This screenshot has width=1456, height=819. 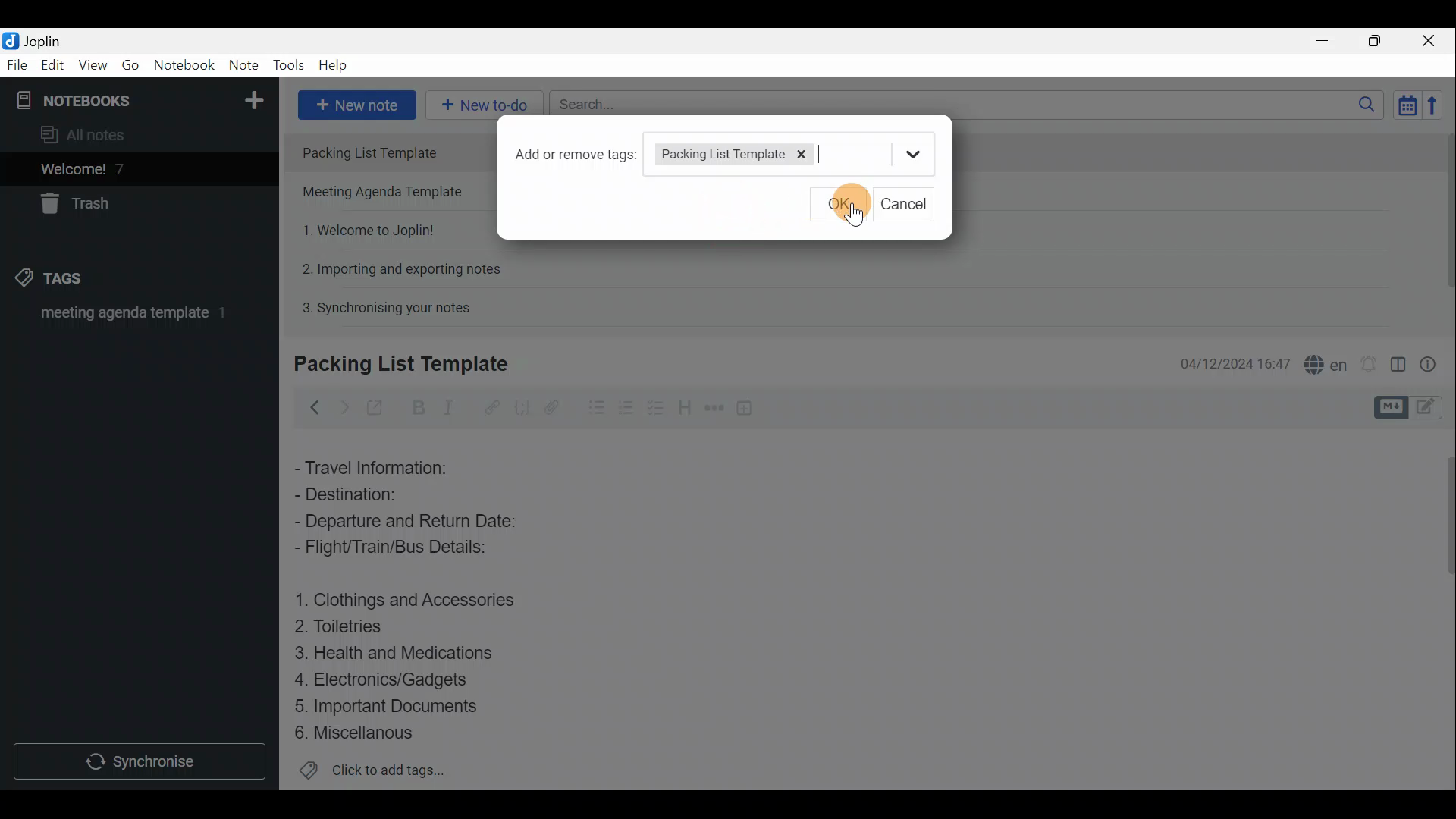 I want to click on New to-do, so click(x=485, y=105).